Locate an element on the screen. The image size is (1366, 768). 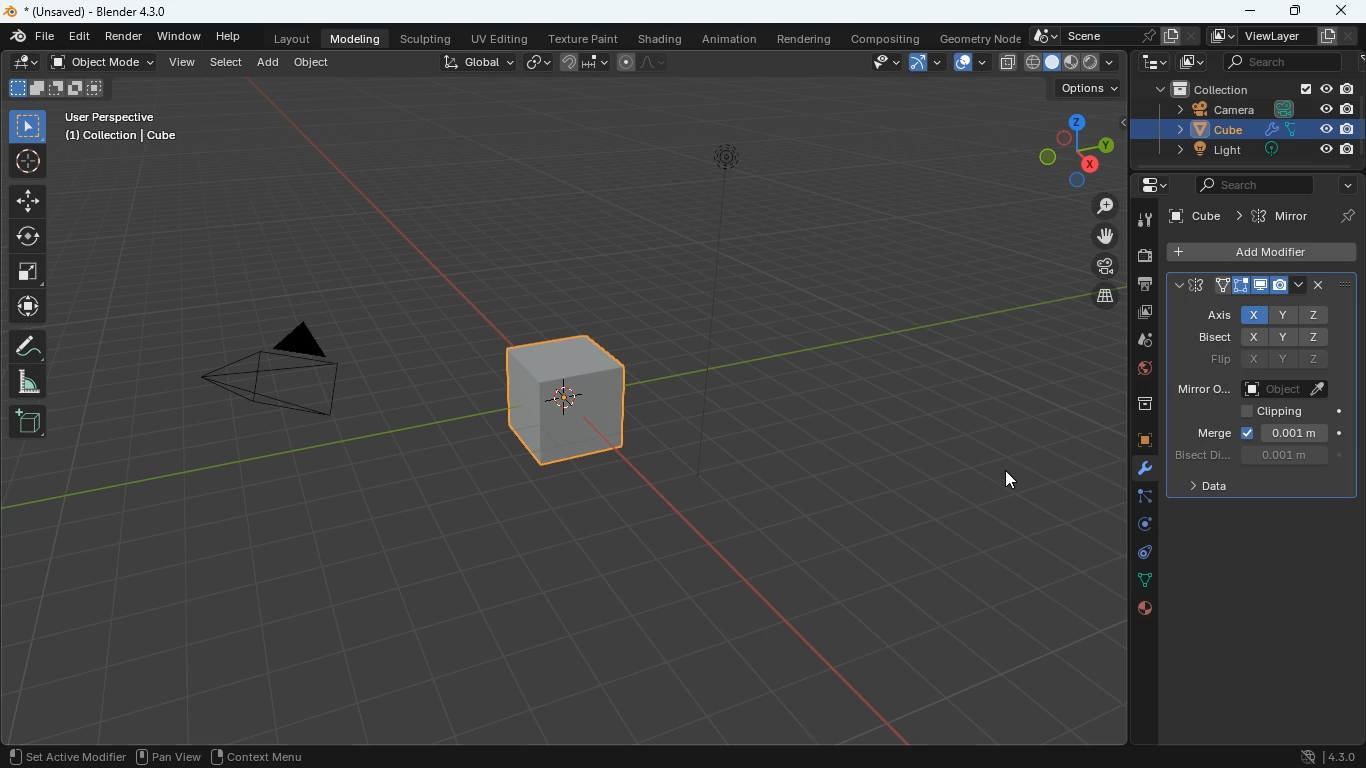
circle is located at coordinates (29, 237).